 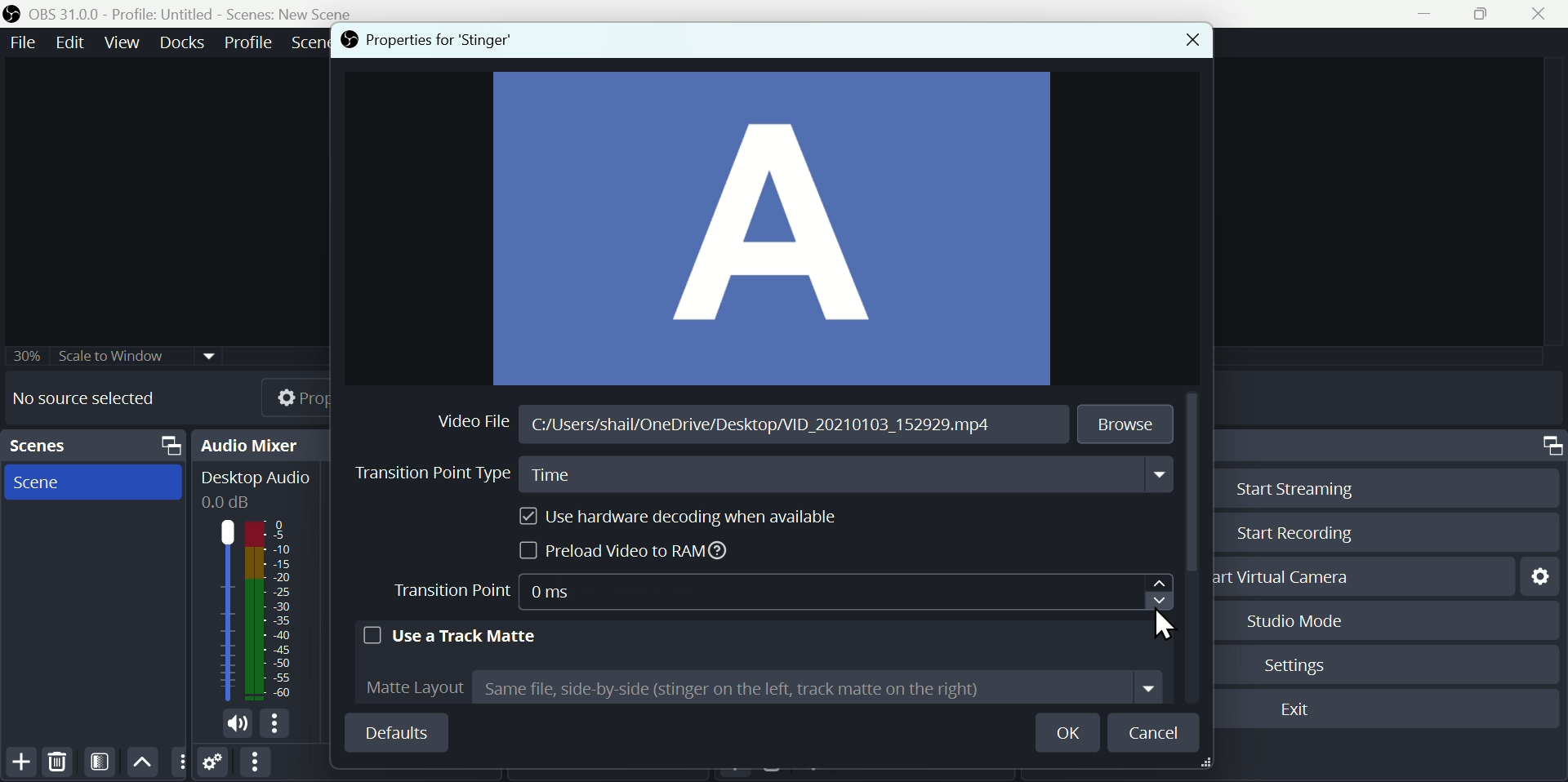 What do you see at coordinates (773, 230) in the screenshot?
I see `A` at bounding box center [773, 230].